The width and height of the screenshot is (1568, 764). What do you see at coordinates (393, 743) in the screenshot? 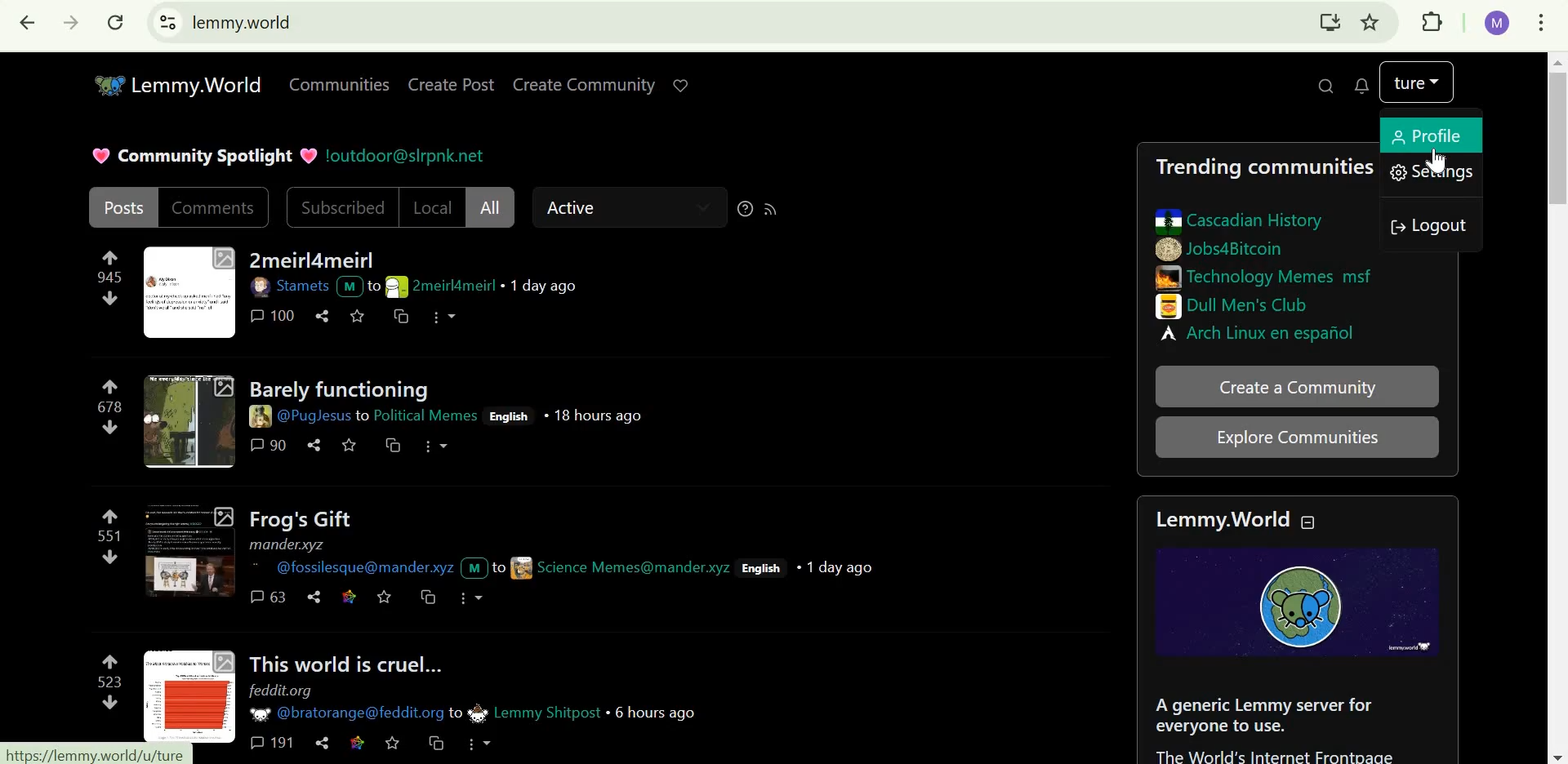
I see `save` at bounding box center [393, 743].